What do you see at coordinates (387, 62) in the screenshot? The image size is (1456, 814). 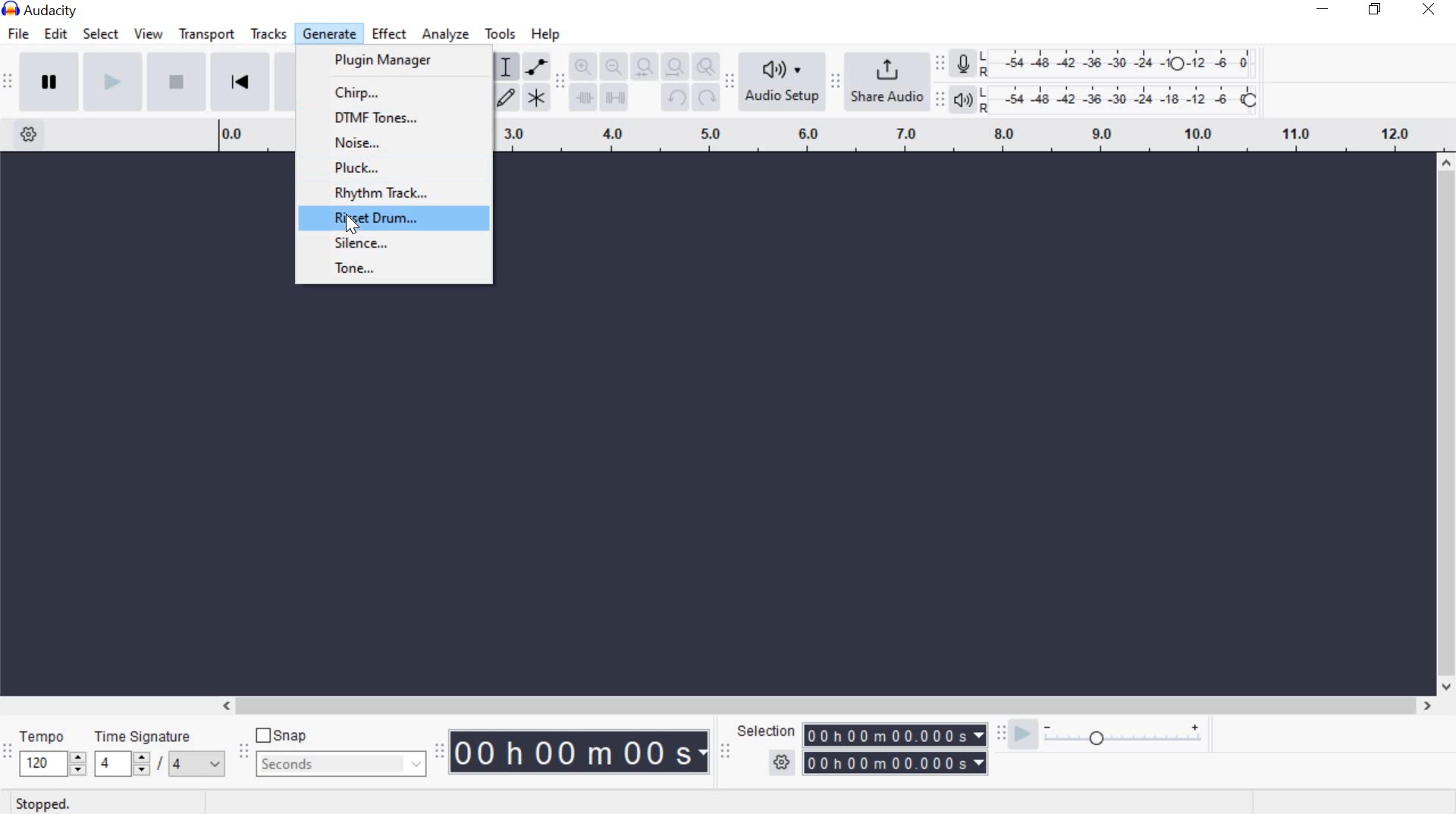 I see `plugin manager` at bounding box center [387, 62].